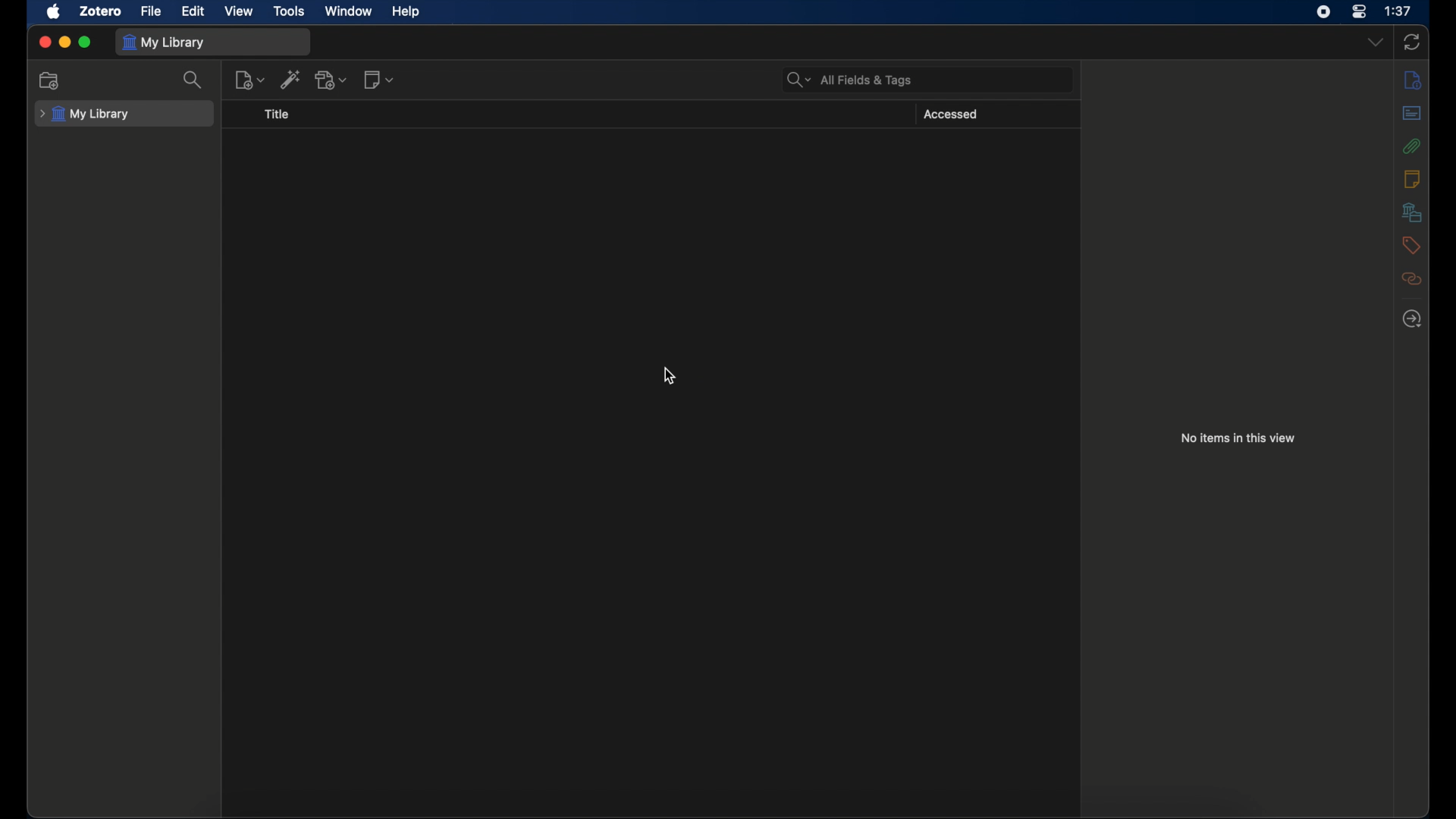 The image size is (1456, 819). I want to click on no items in this view, so click(1238, 438).